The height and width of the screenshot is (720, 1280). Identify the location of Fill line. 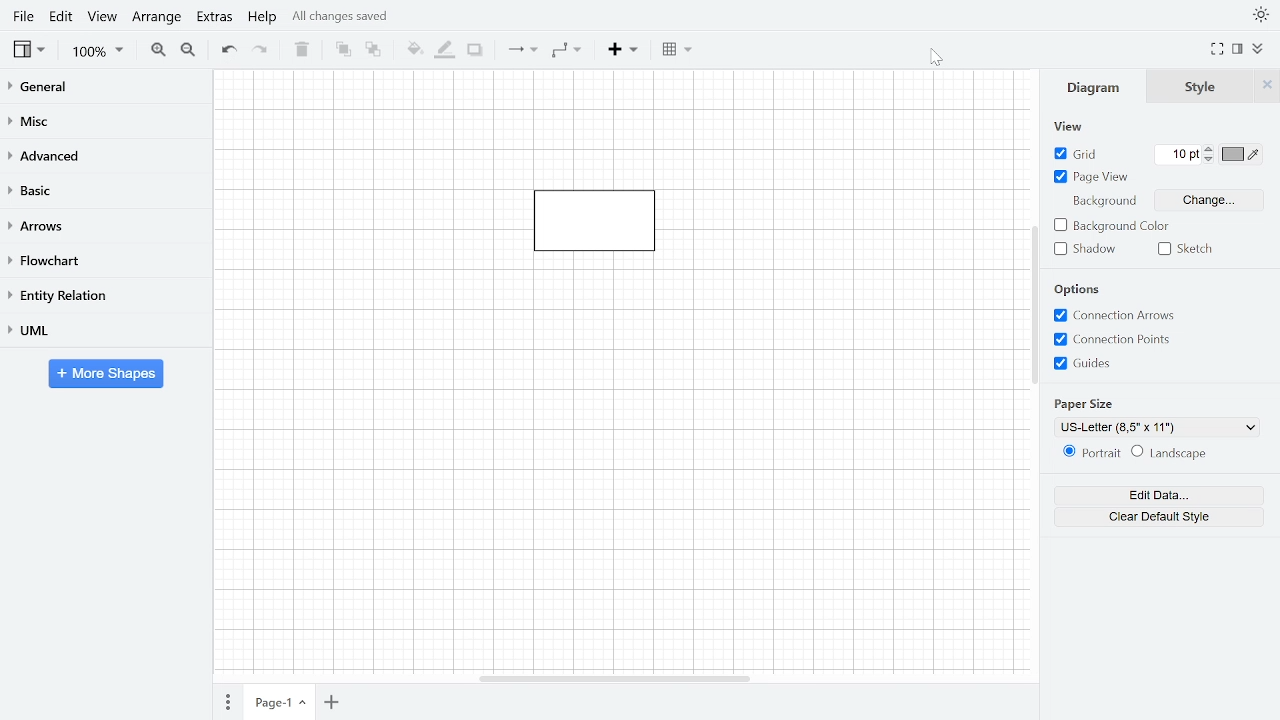
(446, 51).